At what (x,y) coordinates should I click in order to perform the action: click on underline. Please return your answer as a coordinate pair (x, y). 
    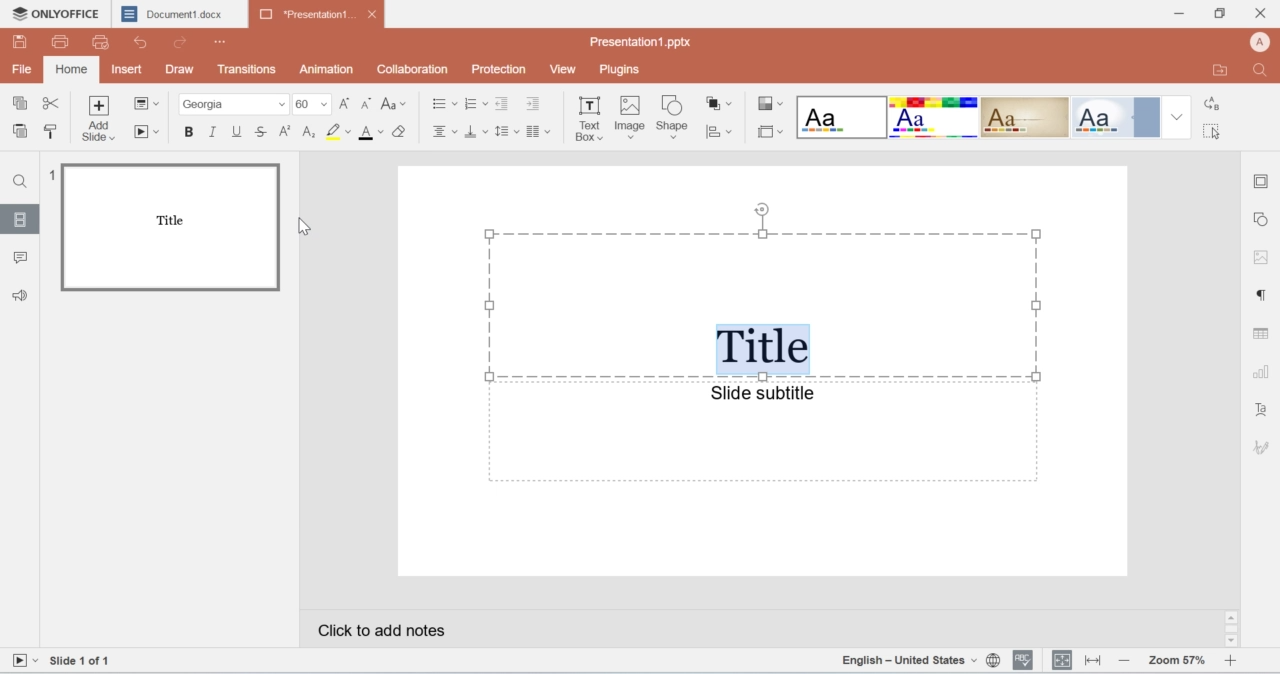
    Looking at the image, I should click on (235, 130).